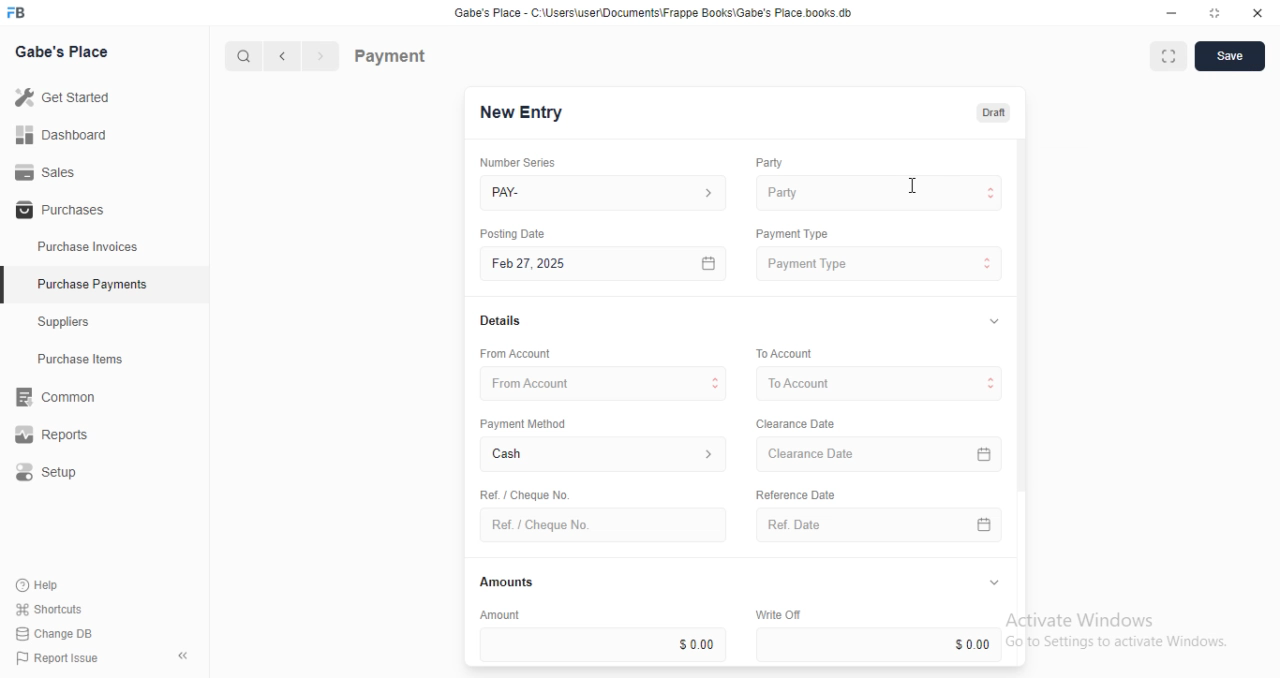 This screenshot has width=1280, height=678. Describe the element at coordinates (514, 233) in the screenshot. I see `Posting Date` at that location.